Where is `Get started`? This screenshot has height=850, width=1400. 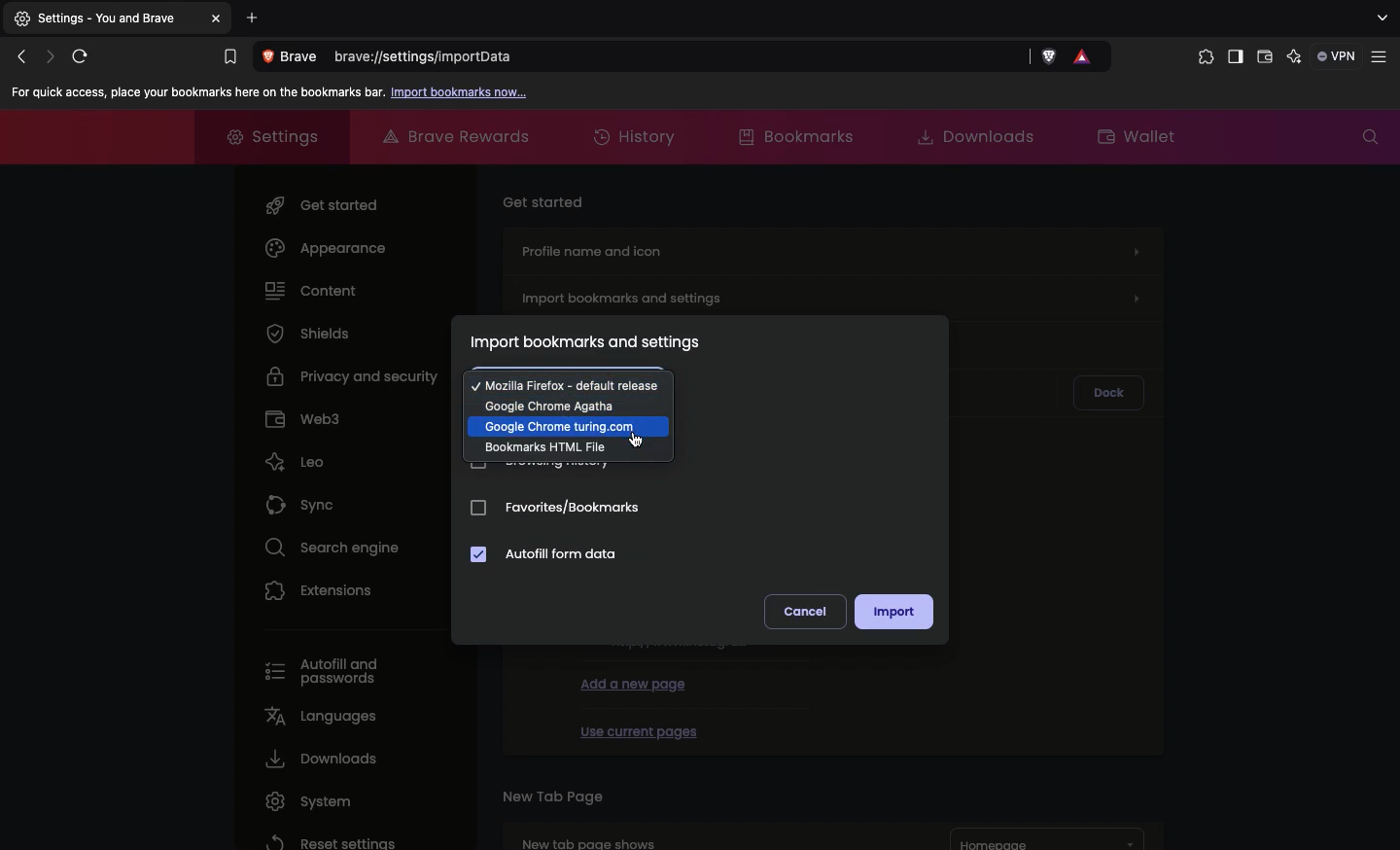 Get started is located at coordinates (545, 199).